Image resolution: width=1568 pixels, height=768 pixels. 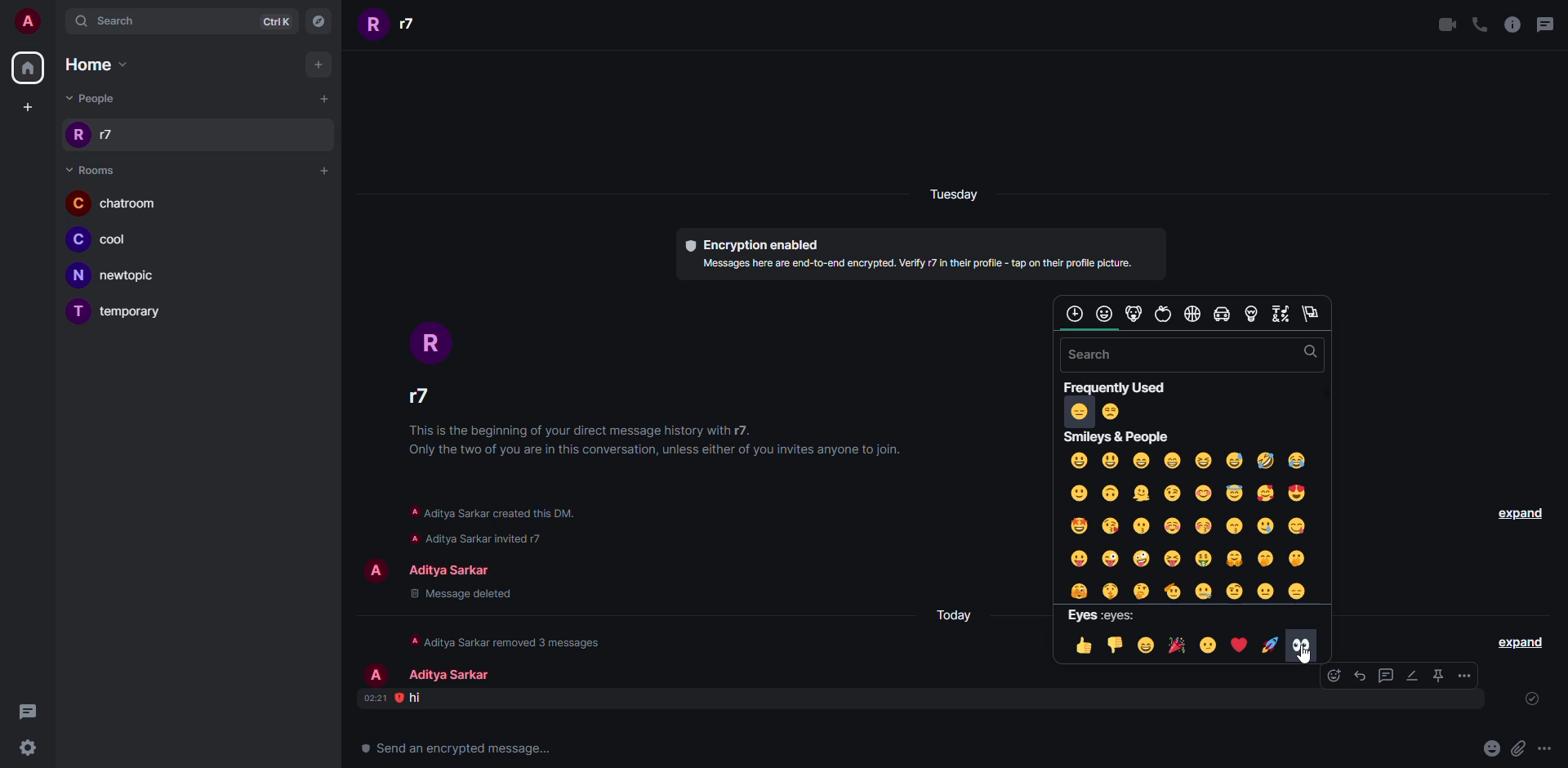 What do you see at coordinates (1321, 676) in the screenshot?
I see `react` at bounding box center [1321, 676].